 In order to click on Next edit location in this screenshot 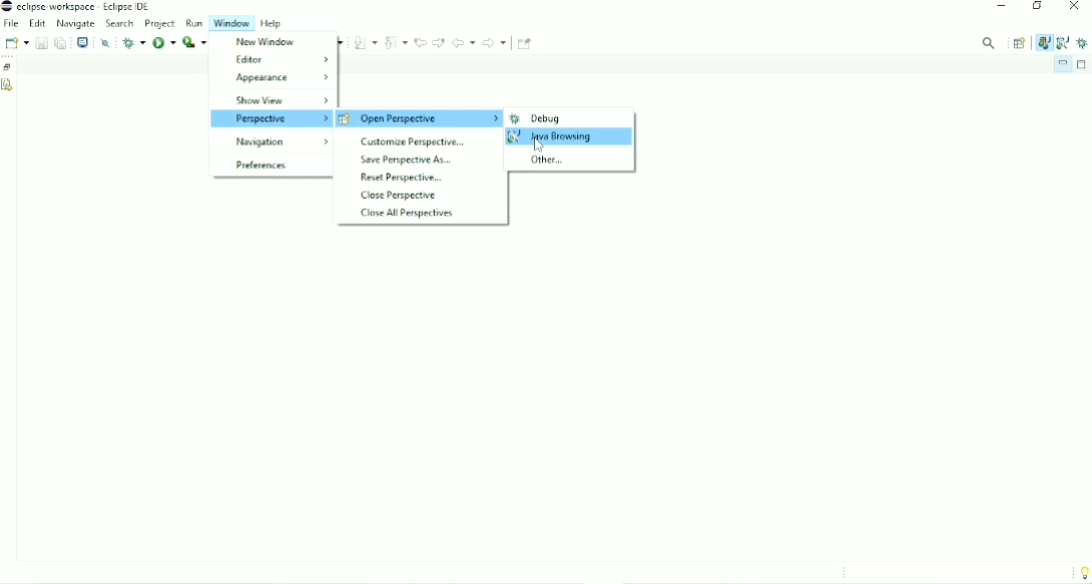, I will do `click(438, 42)`.